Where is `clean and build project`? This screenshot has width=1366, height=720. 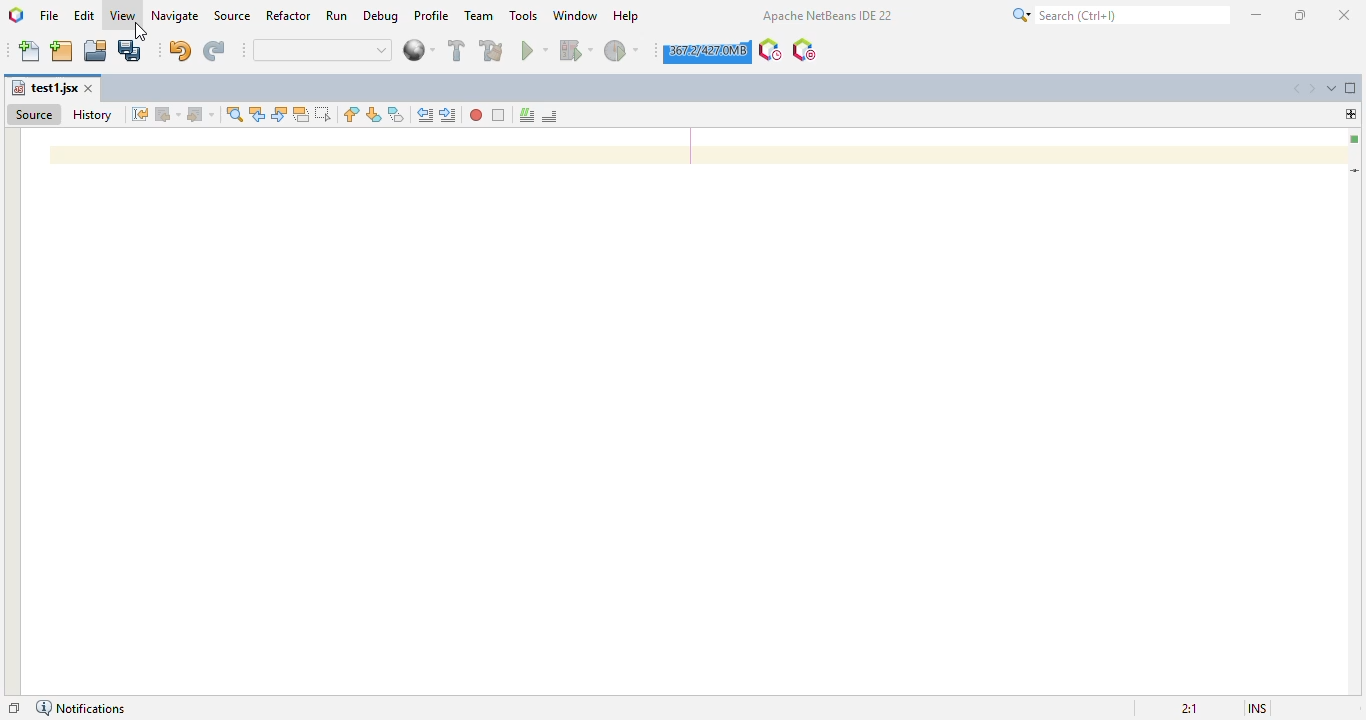 clean and build project is located at coordinates (491, 50).